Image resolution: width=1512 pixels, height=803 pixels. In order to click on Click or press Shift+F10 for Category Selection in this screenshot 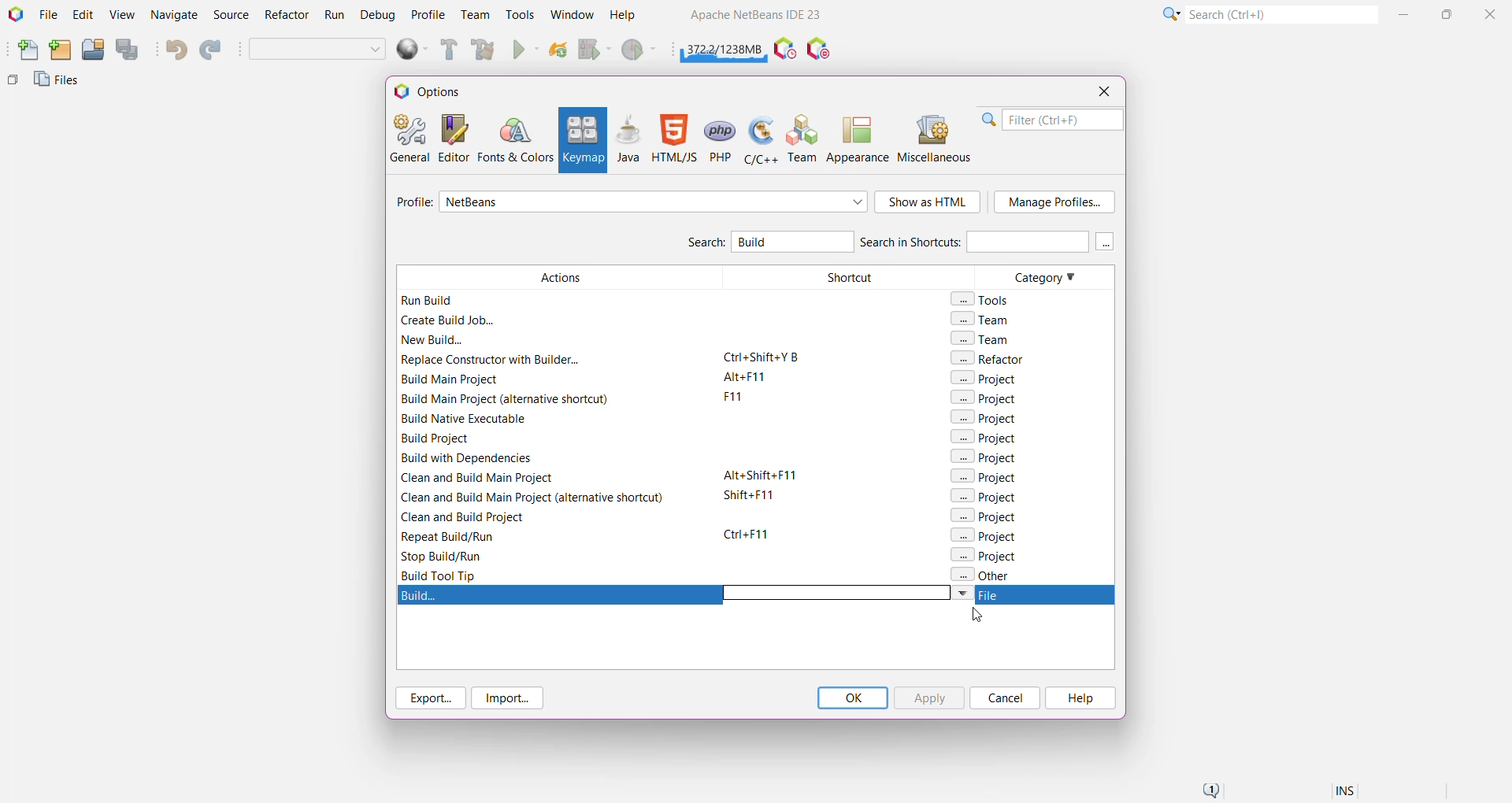, I will do `click(1169, 13)`.